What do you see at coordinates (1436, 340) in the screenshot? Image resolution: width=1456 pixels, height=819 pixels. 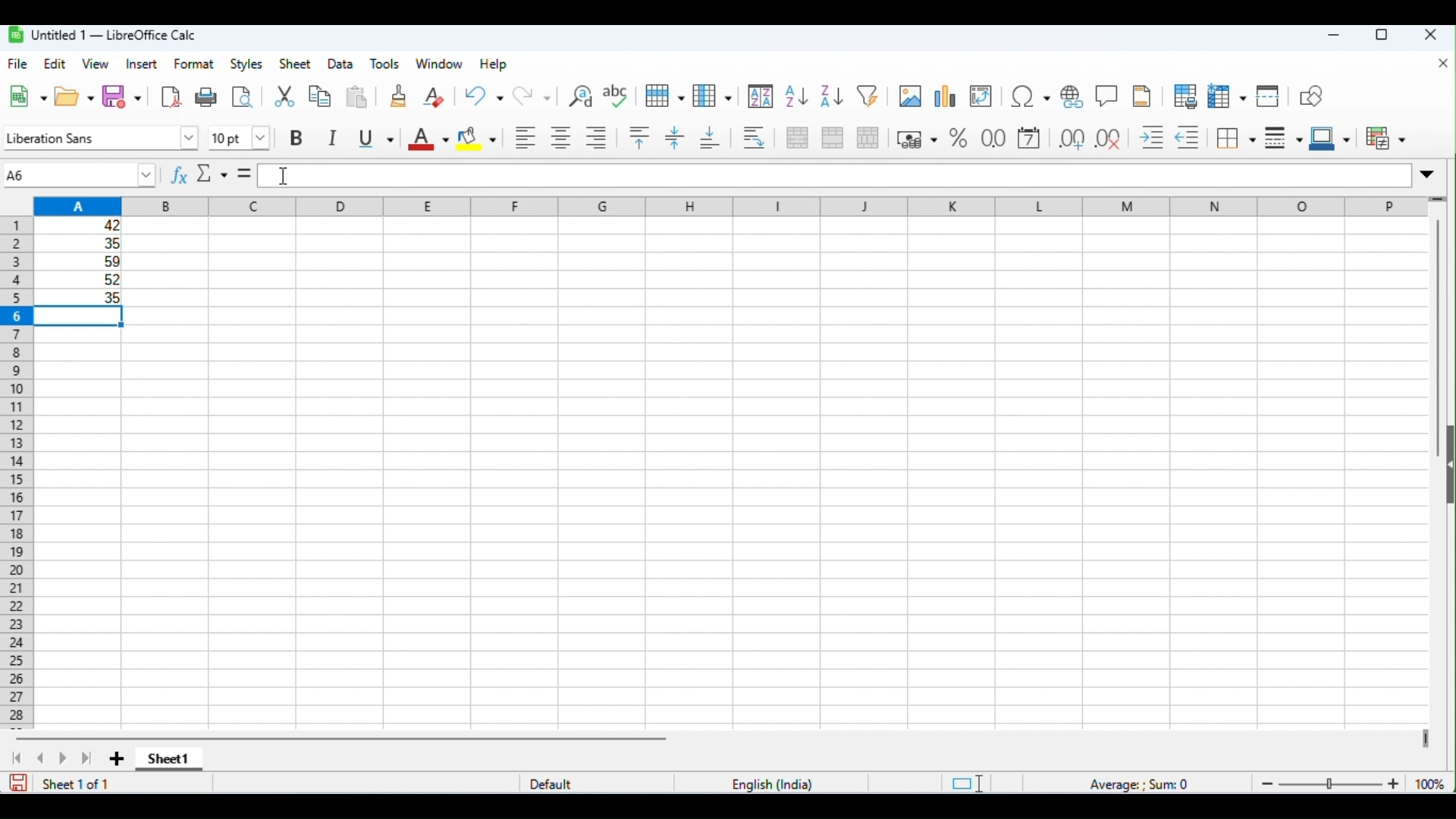 I see `vertical scroll bar` at bounding box center [1436, 340].